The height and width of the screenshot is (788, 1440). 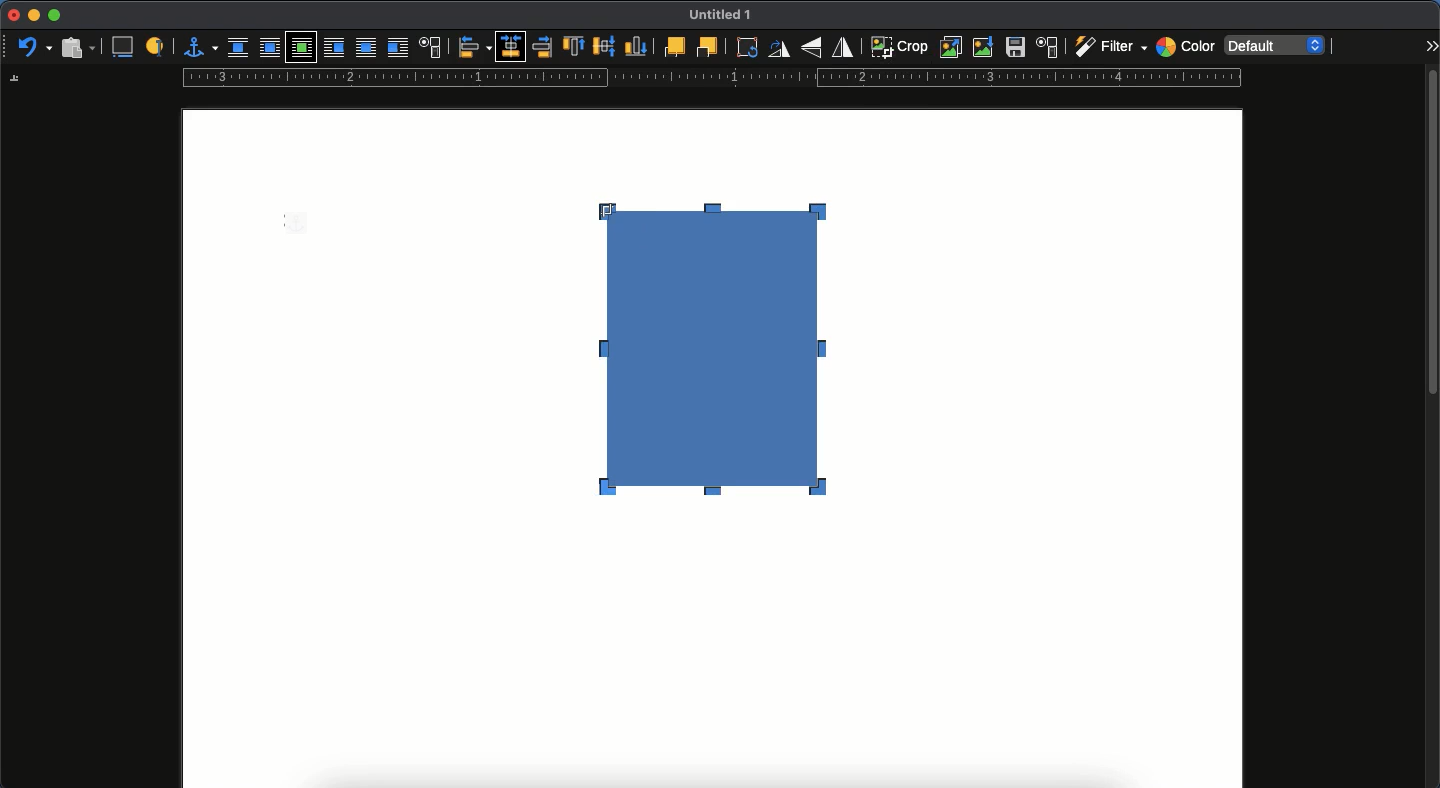 I want to click on filter, so click(x=1109, y=47).